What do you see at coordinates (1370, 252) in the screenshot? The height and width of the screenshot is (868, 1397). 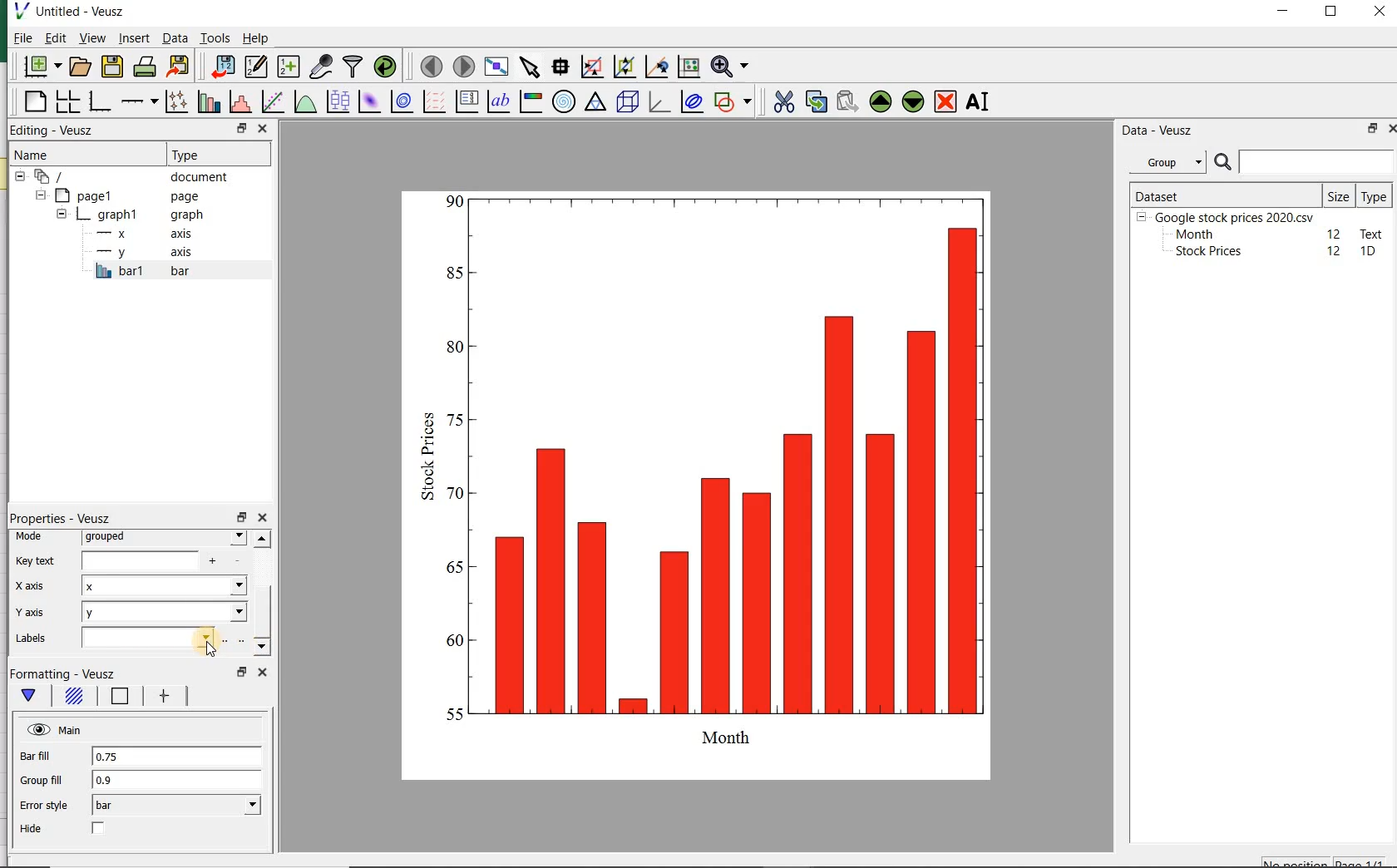 I see `1D` at bounding box center [1370, 252].